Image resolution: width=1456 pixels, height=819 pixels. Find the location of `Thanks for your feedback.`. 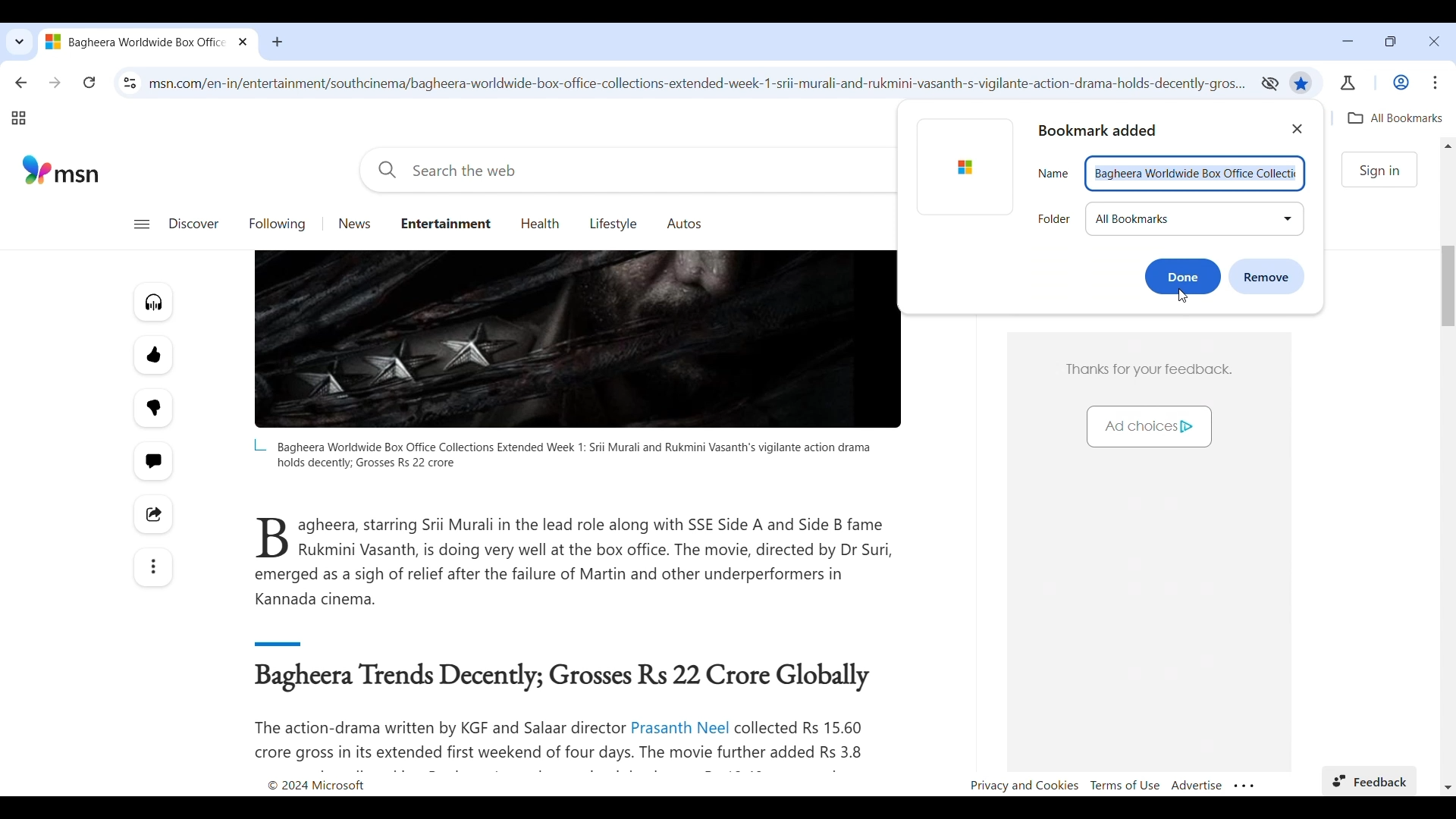

Thanks for your feedback. is located at coordinates (1151, 366).